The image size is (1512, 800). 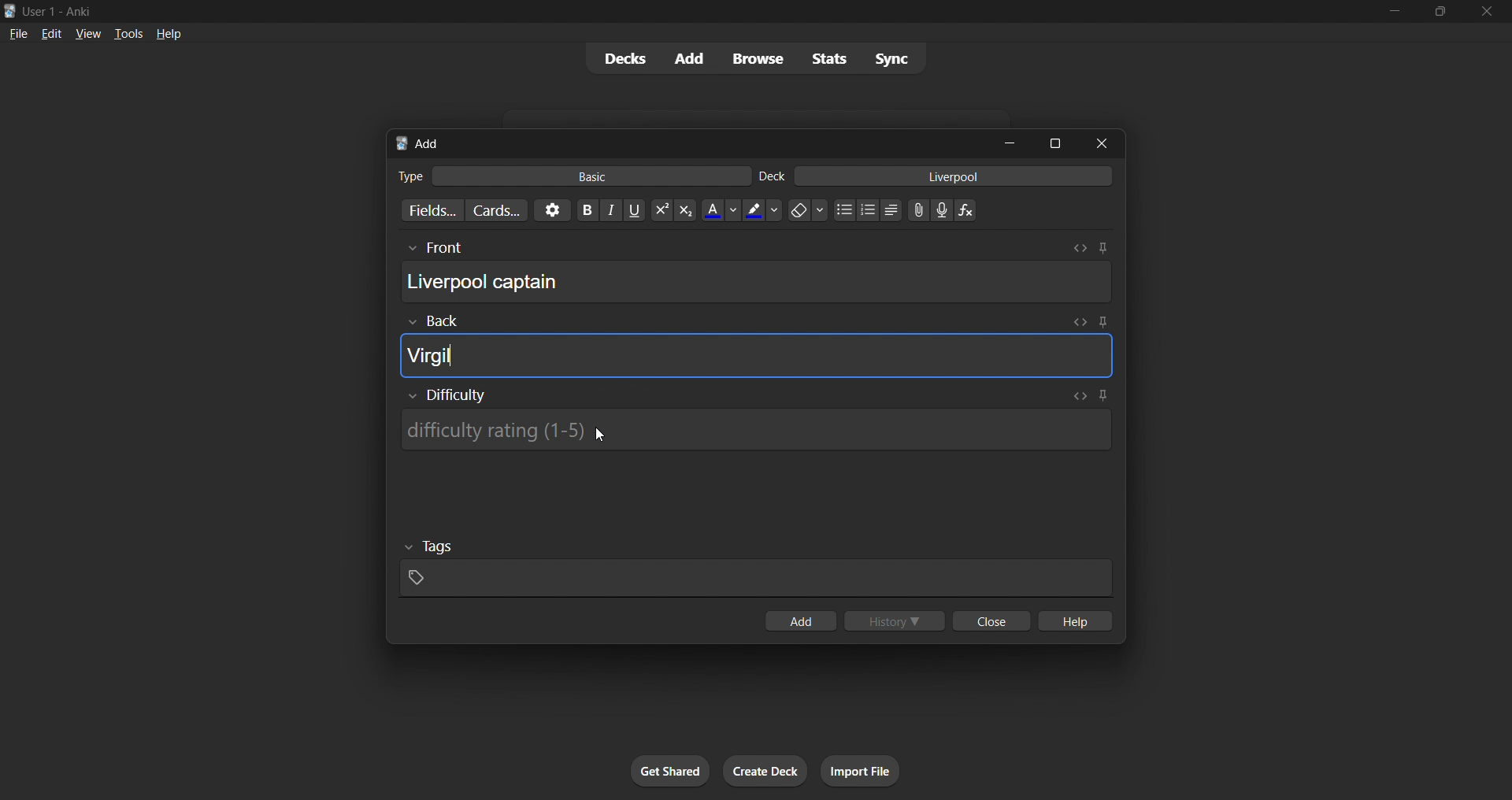 What do you see at coordinates (757, 355) in the screenshot?
I see `card back field input box` at bounding box center [757, 355].